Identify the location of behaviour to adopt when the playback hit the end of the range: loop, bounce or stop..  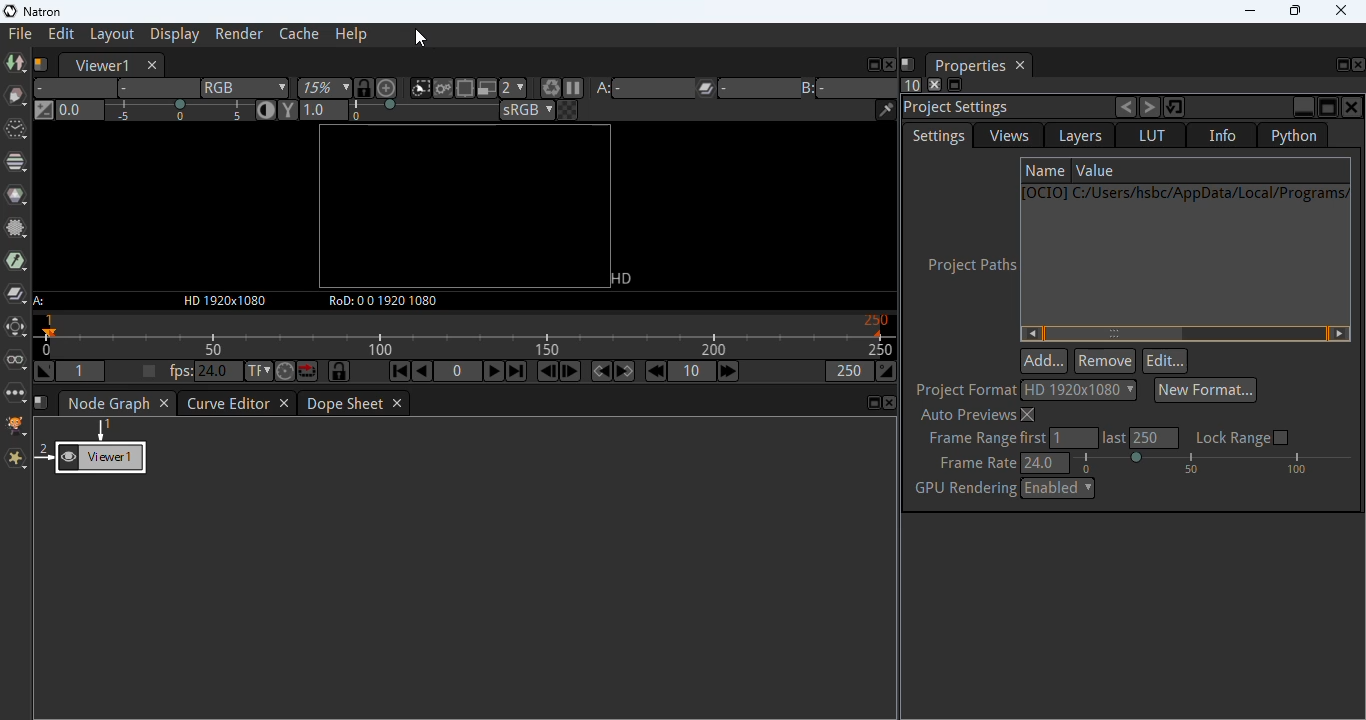
(308, 372).